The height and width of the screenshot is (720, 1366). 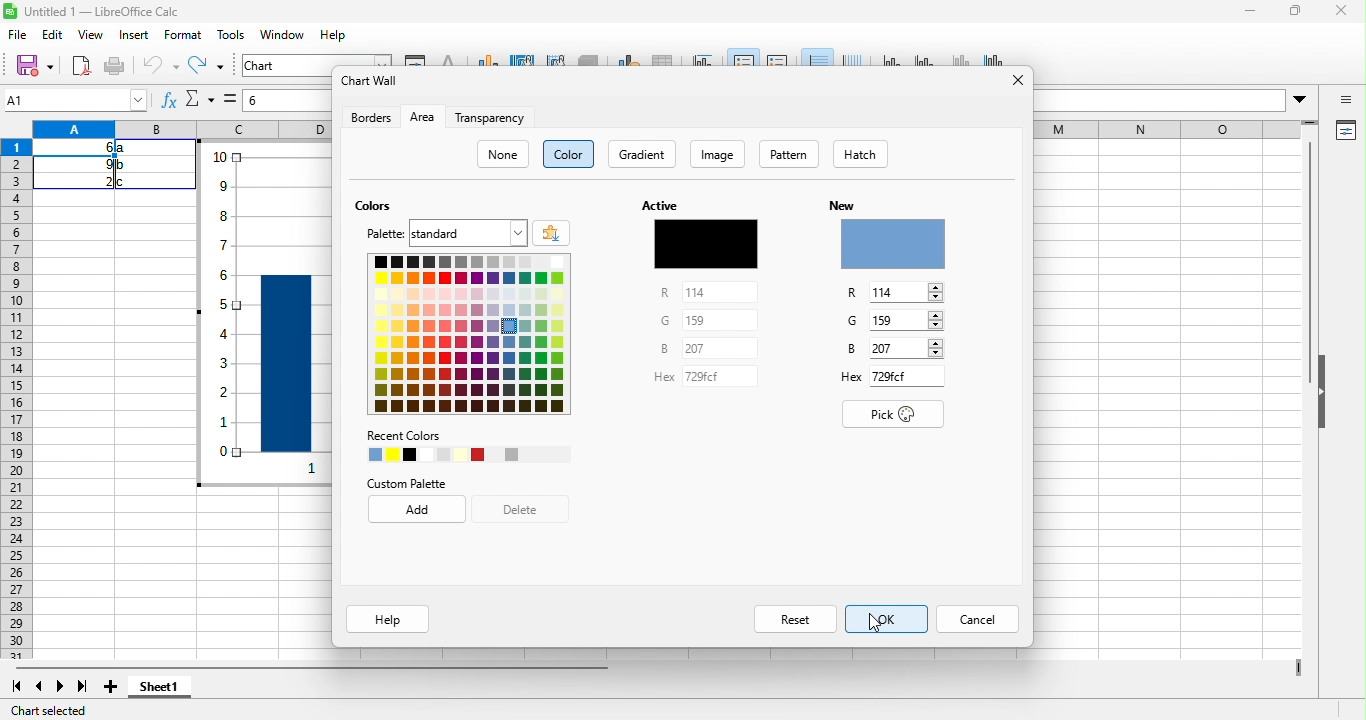 I want to click on active color, so click(x=702, y=232).